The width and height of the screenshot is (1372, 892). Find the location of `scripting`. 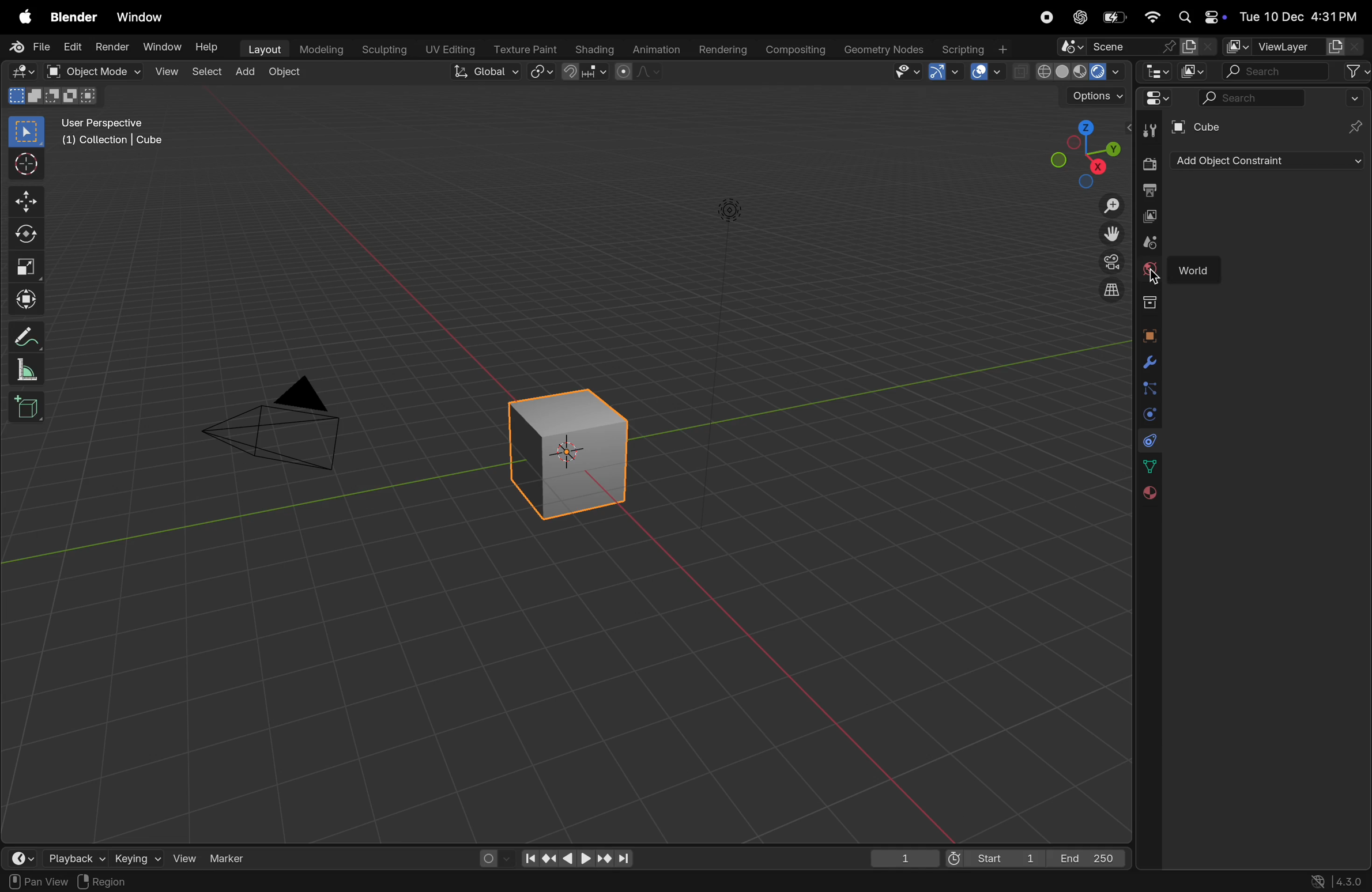

scripting is located at coordinates (977, 48).